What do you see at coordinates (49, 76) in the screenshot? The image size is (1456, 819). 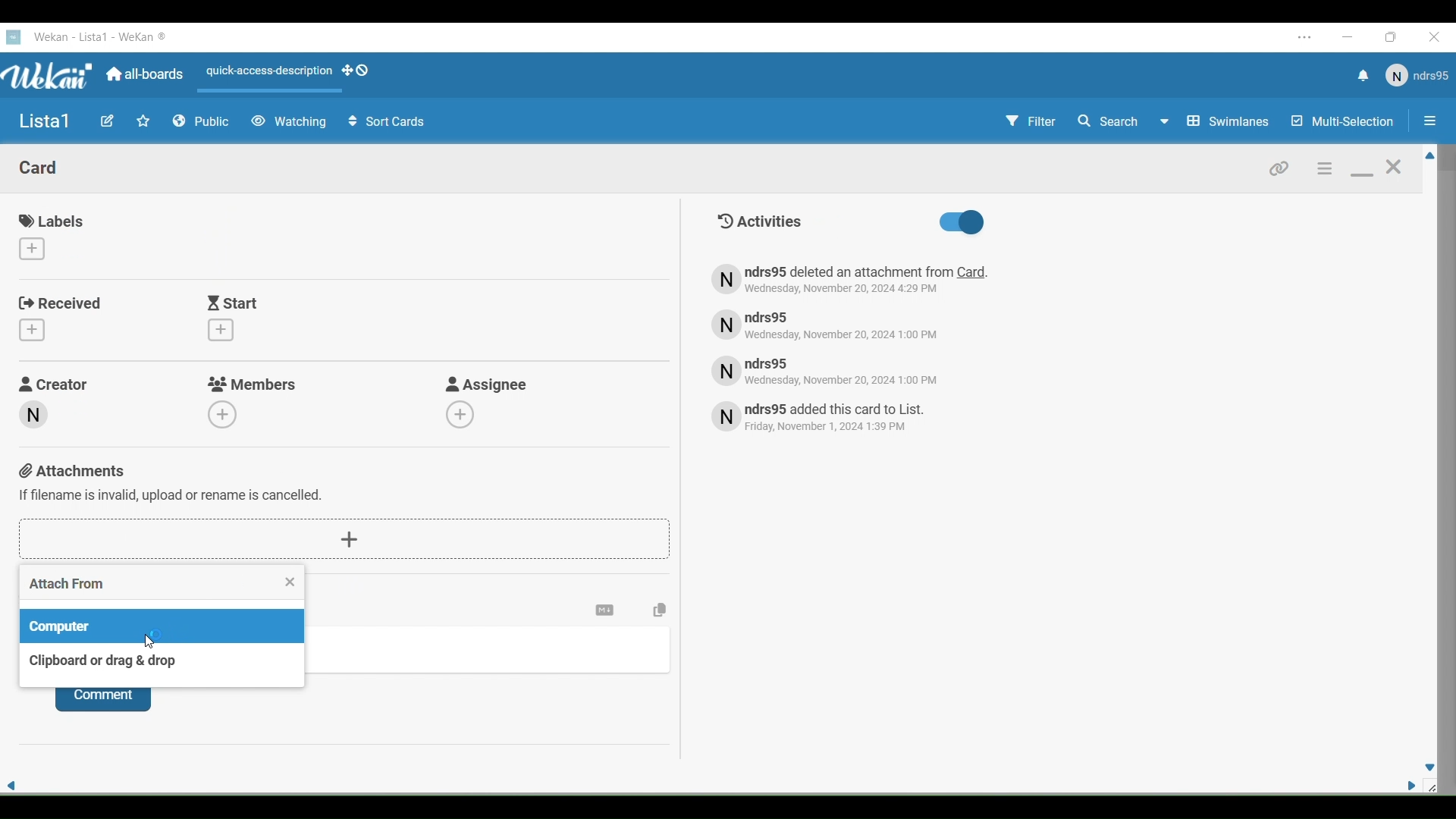 I see `WeKan` at bounding box center [49, 76].